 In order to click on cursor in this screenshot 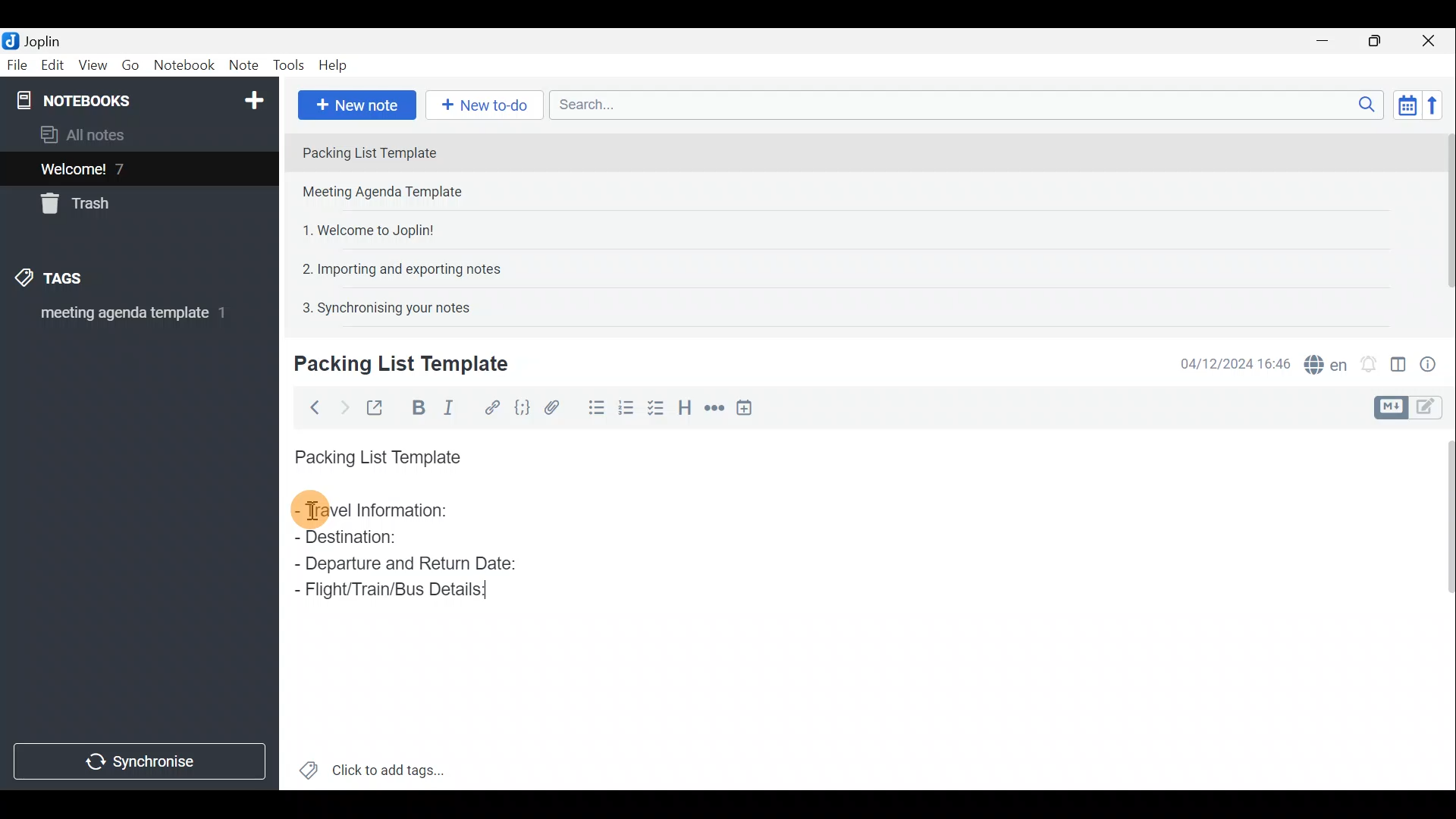, I will do `click(311, 513)`.